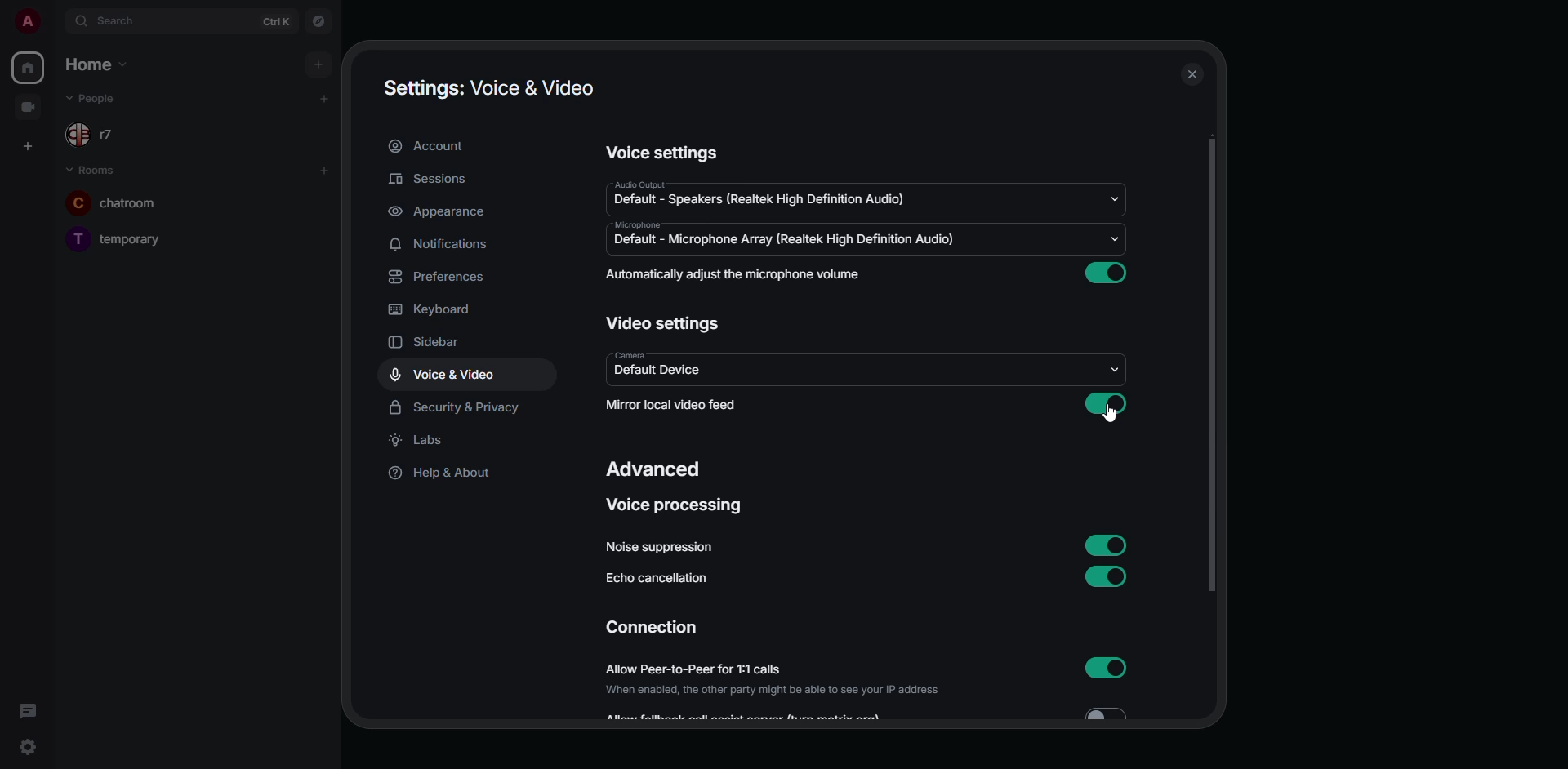 The image size is (1568, 769). I want to click on close, so click(1192, 77).